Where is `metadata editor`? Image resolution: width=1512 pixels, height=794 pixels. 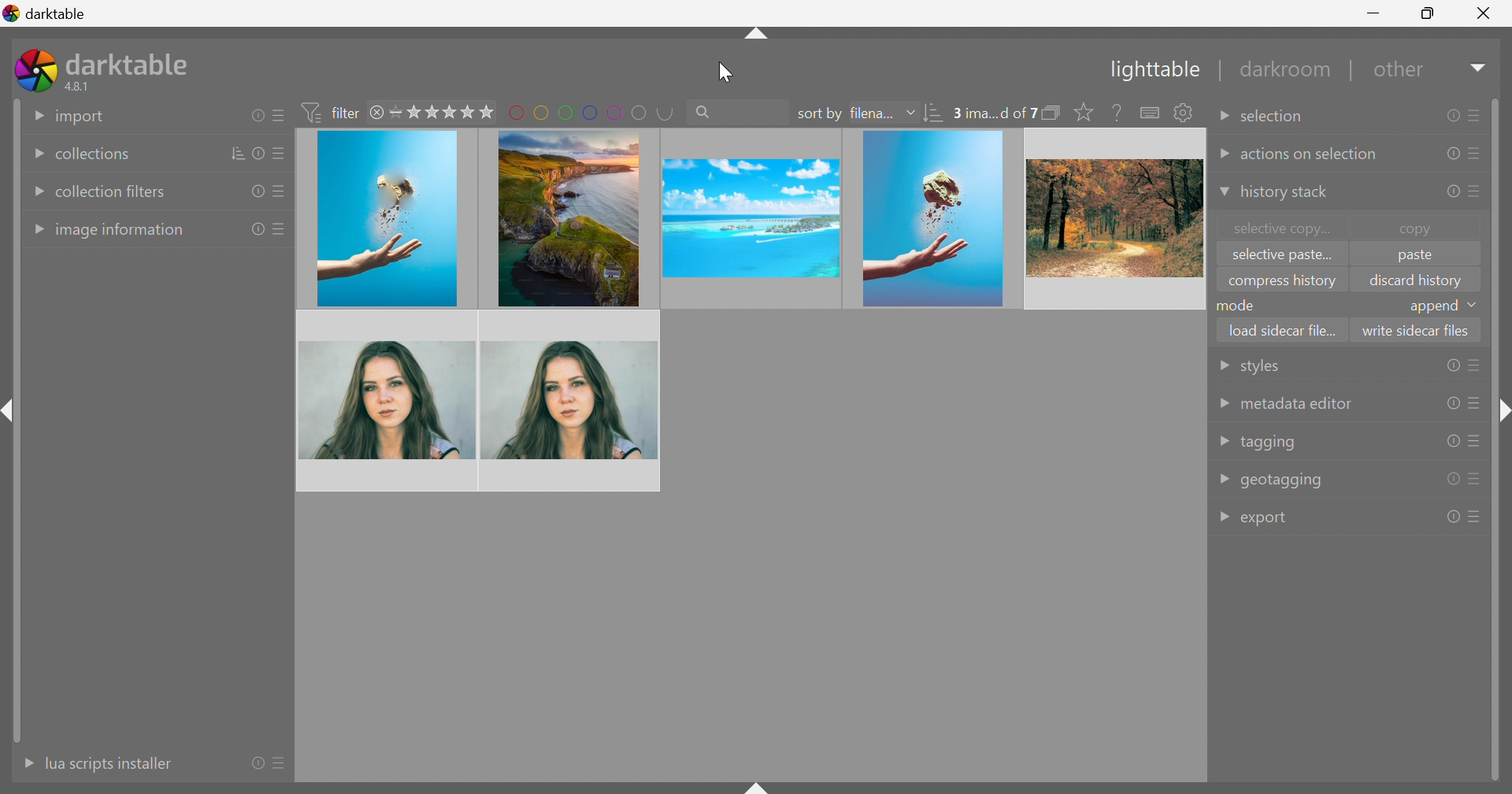
metadata editor is located at coordinates (1295, 404).